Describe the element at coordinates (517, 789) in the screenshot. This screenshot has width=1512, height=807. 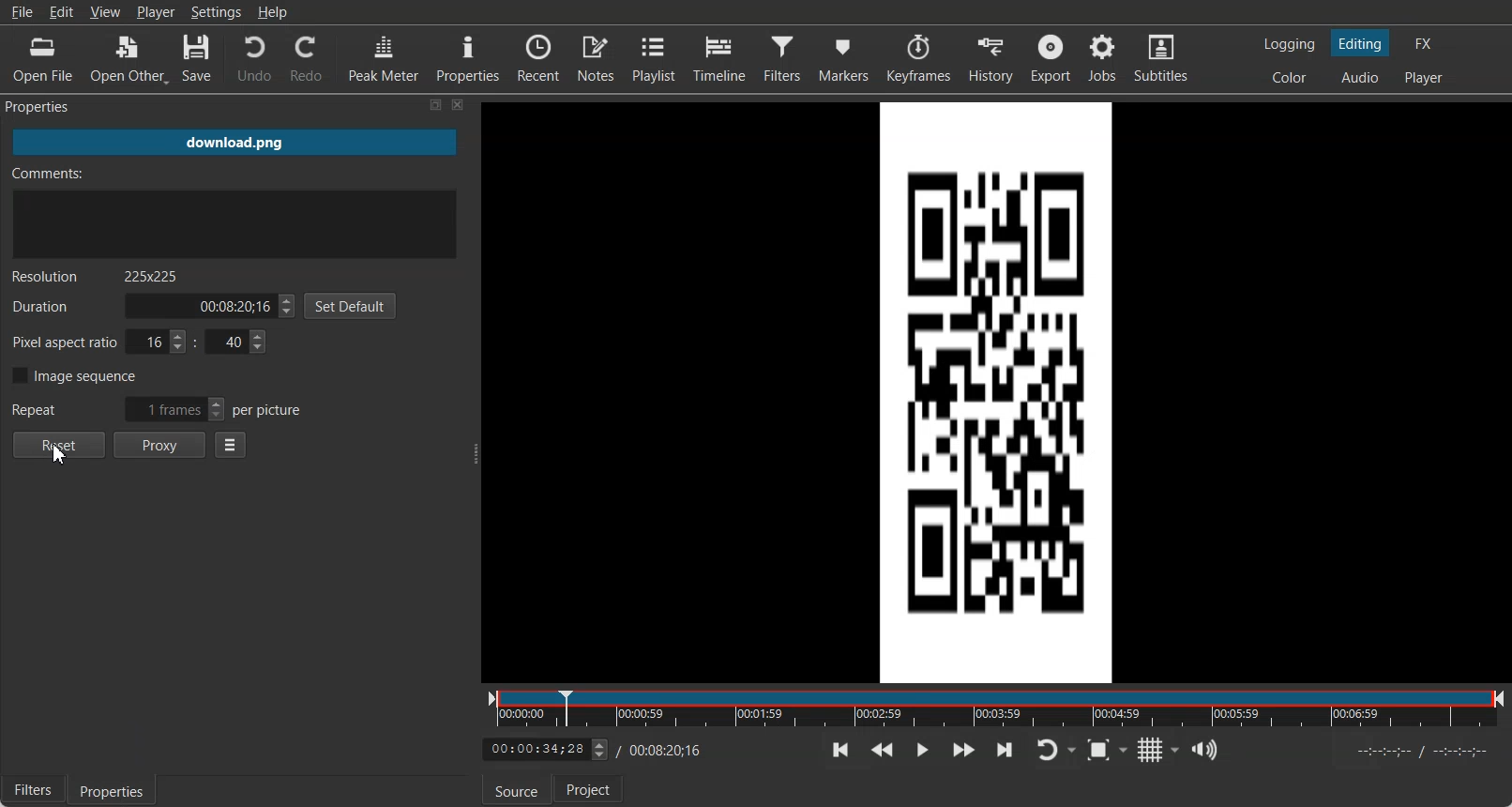
I see `Source` at that location.